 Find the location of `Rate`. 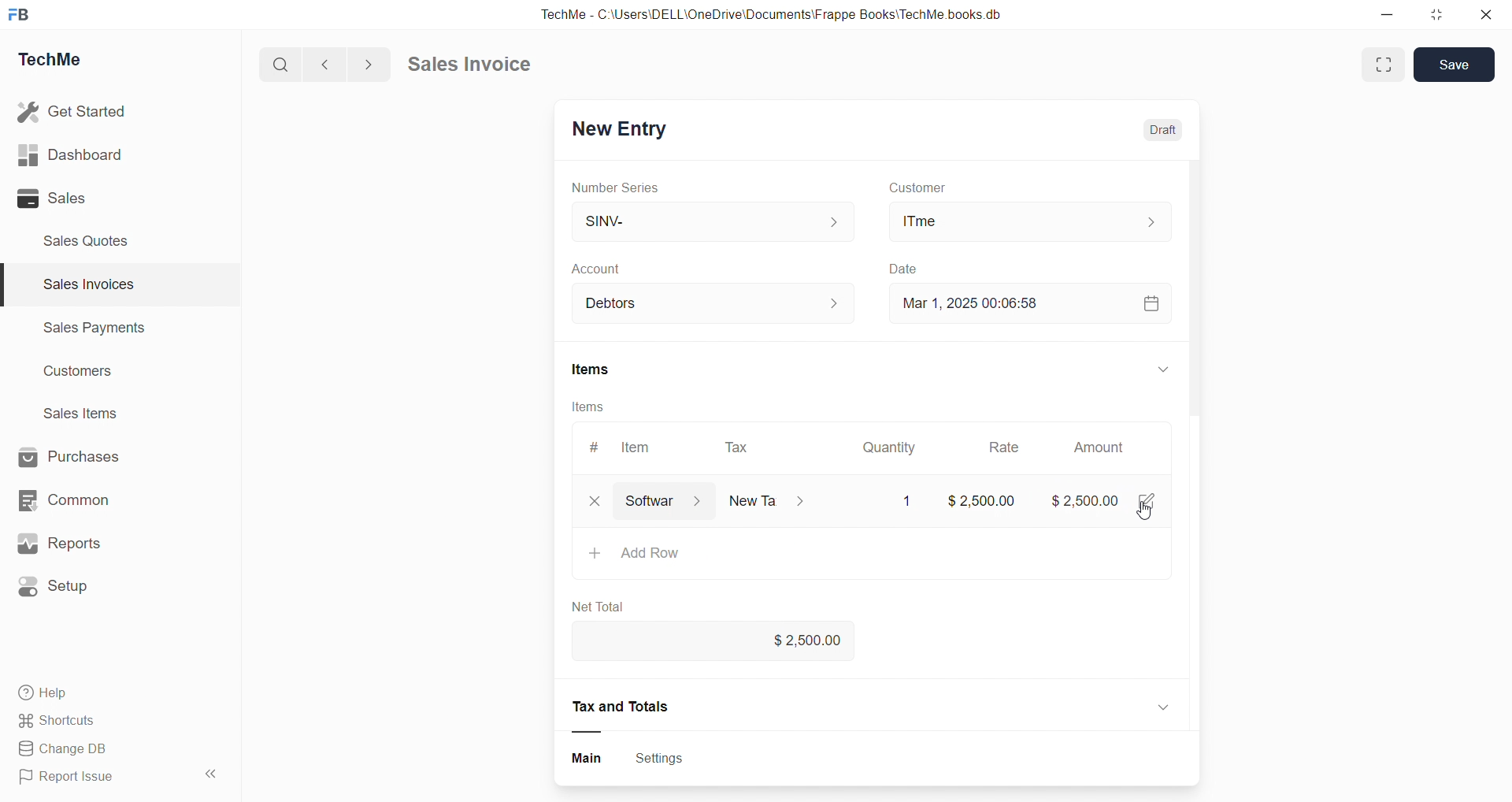

Rate is located at coordinates (1007, 449).